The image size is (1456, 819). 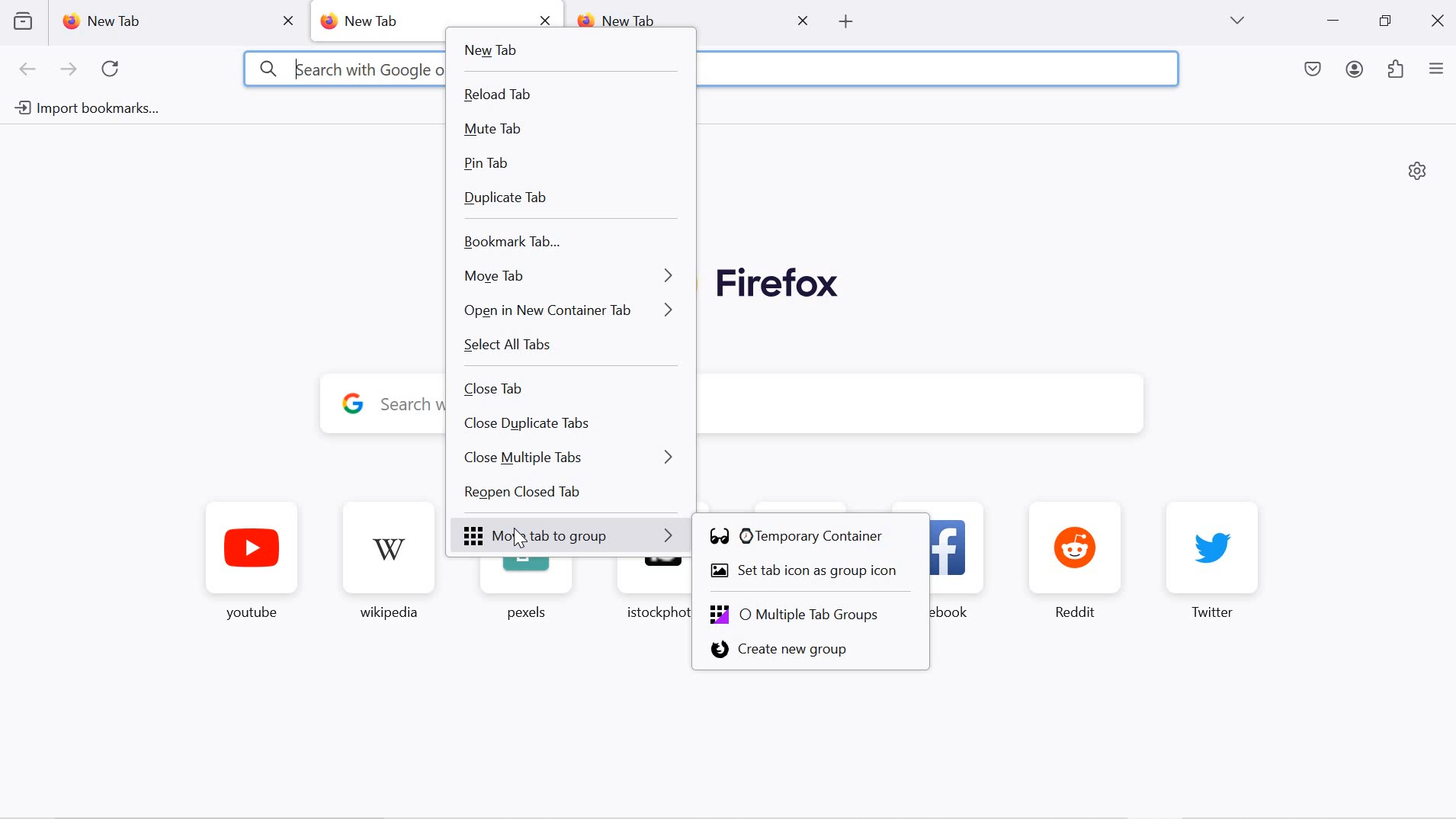 What do you see at coordinates (519, 592) in the screenshot?
I see `pexels favorite` at bounding box center [519, 592].